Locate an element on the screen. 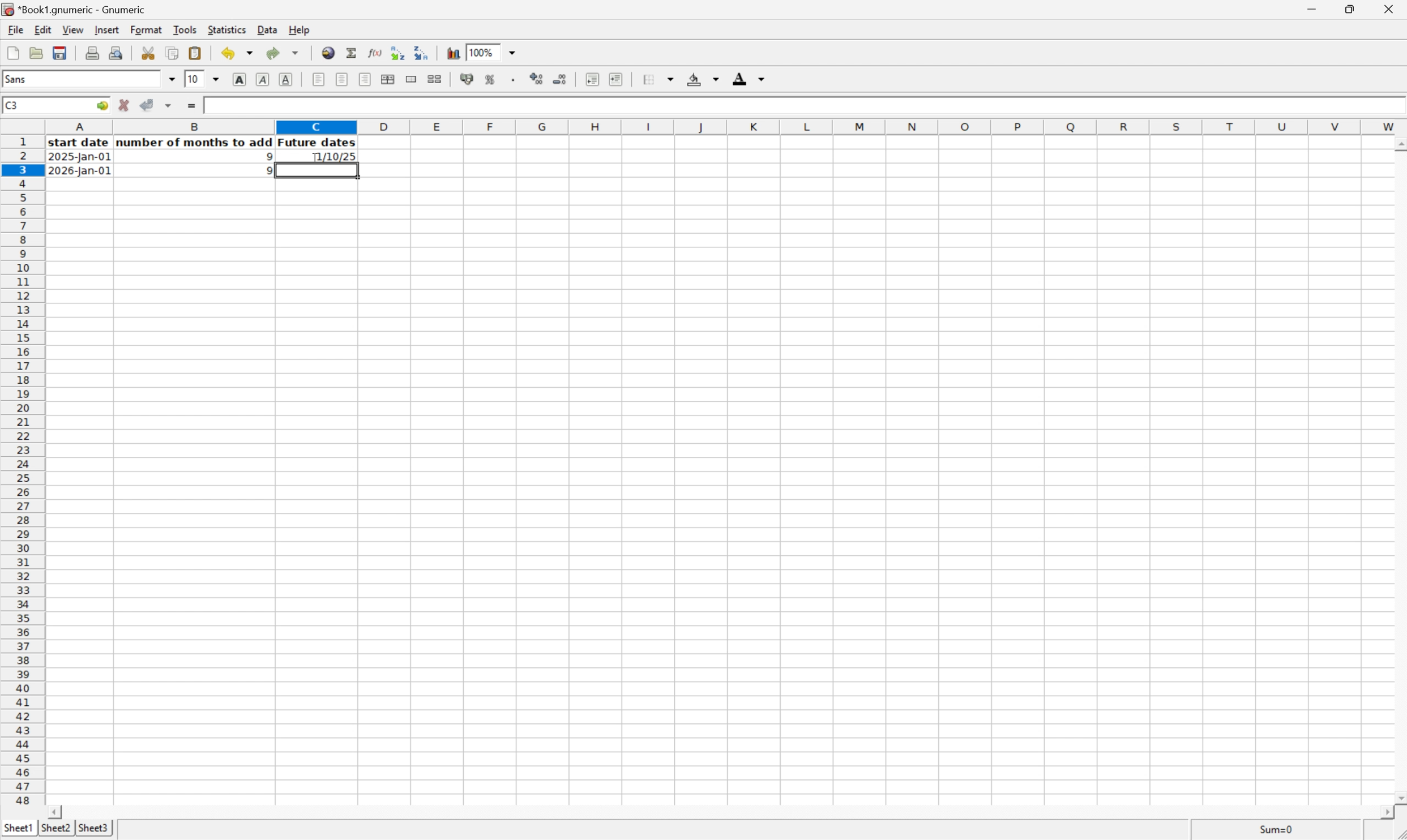 The height and width of the screenshot is (840, 1407). Increase indent, and align the contents to the left is located at coordinates (615, 79).